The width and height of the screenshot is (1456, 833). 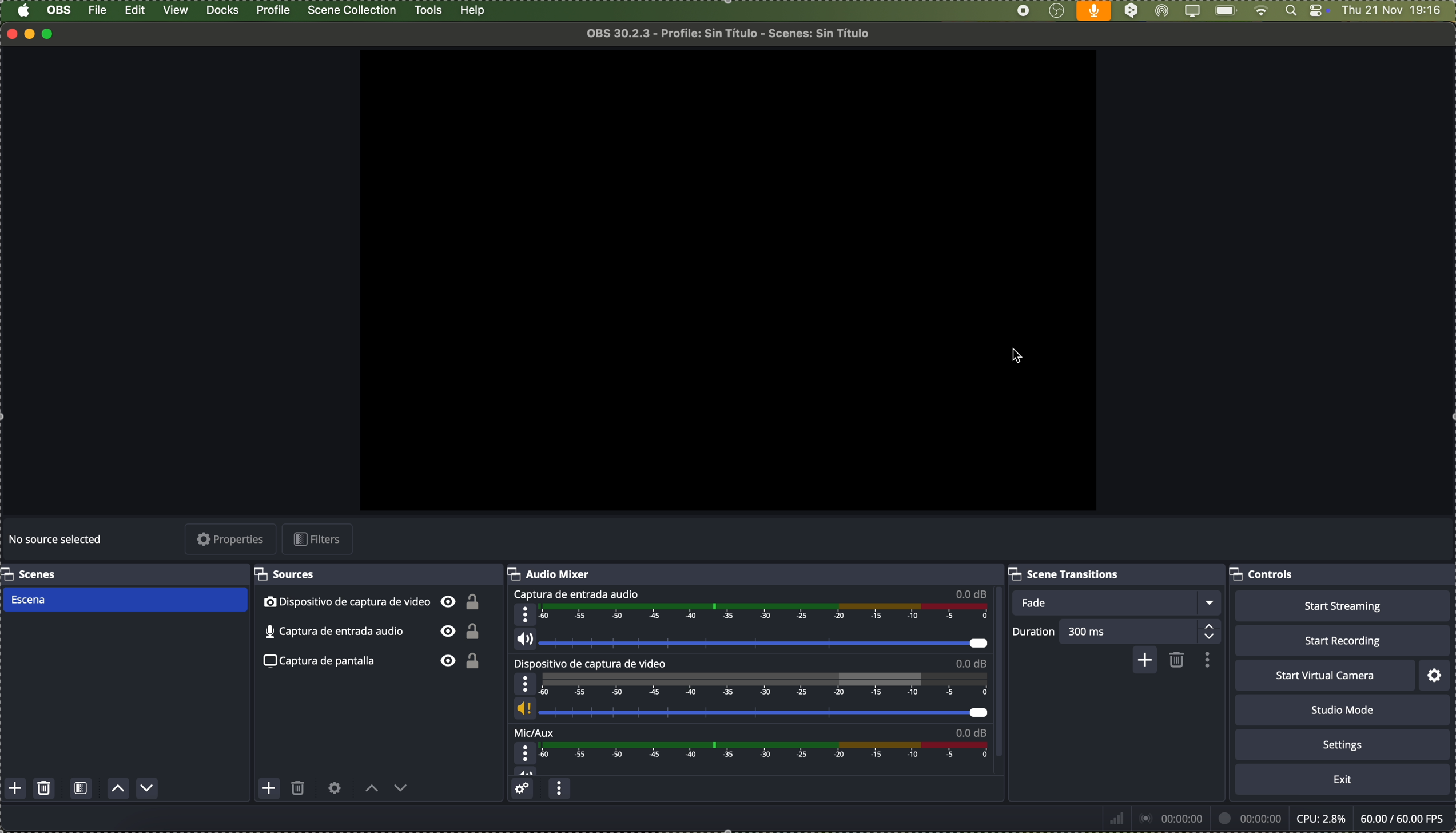 I want to click on data, so click(x=1275, y=818).